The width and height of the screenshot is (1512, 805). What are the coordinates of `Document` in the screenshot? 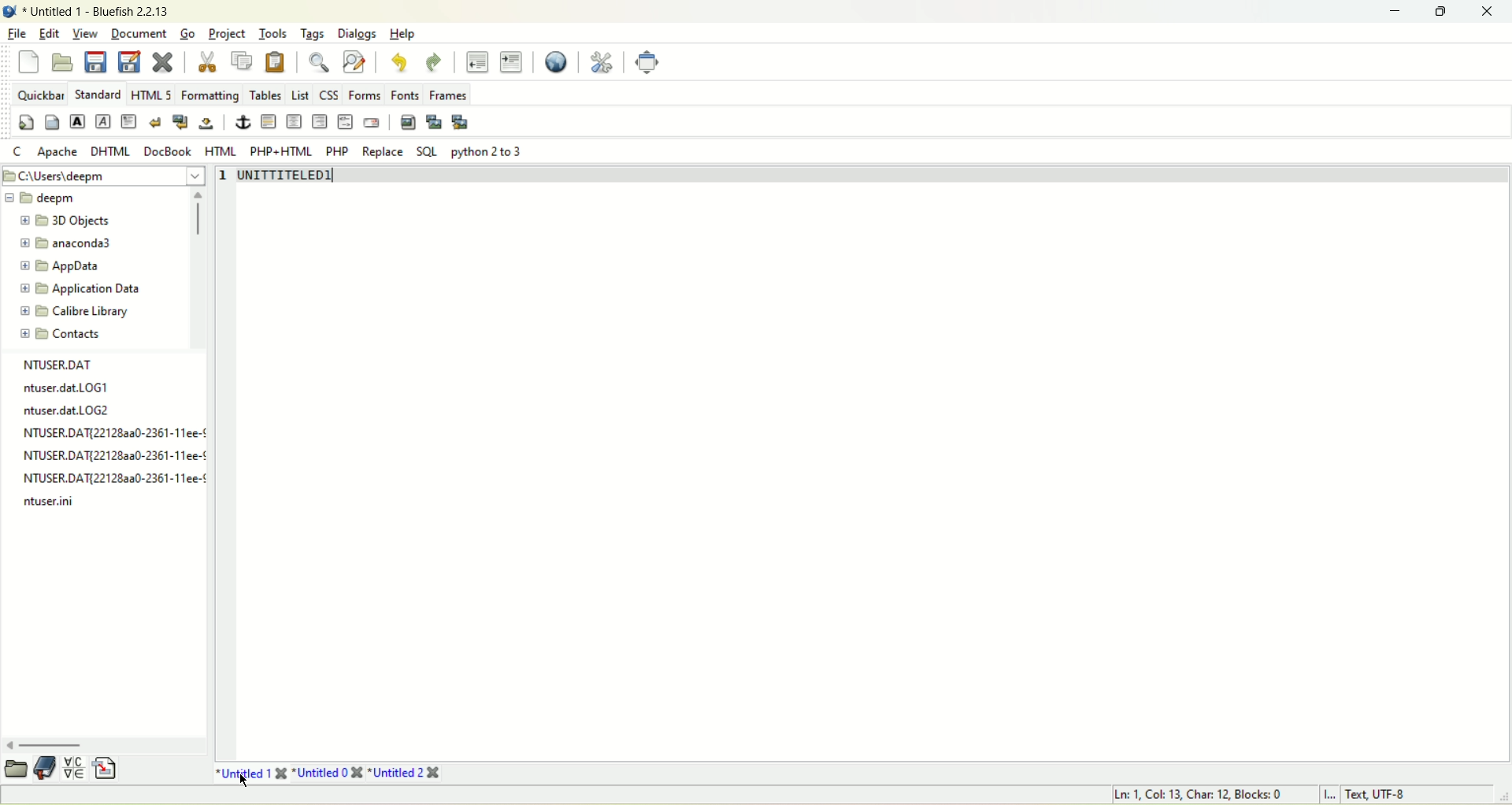 It's located at (138, 32).